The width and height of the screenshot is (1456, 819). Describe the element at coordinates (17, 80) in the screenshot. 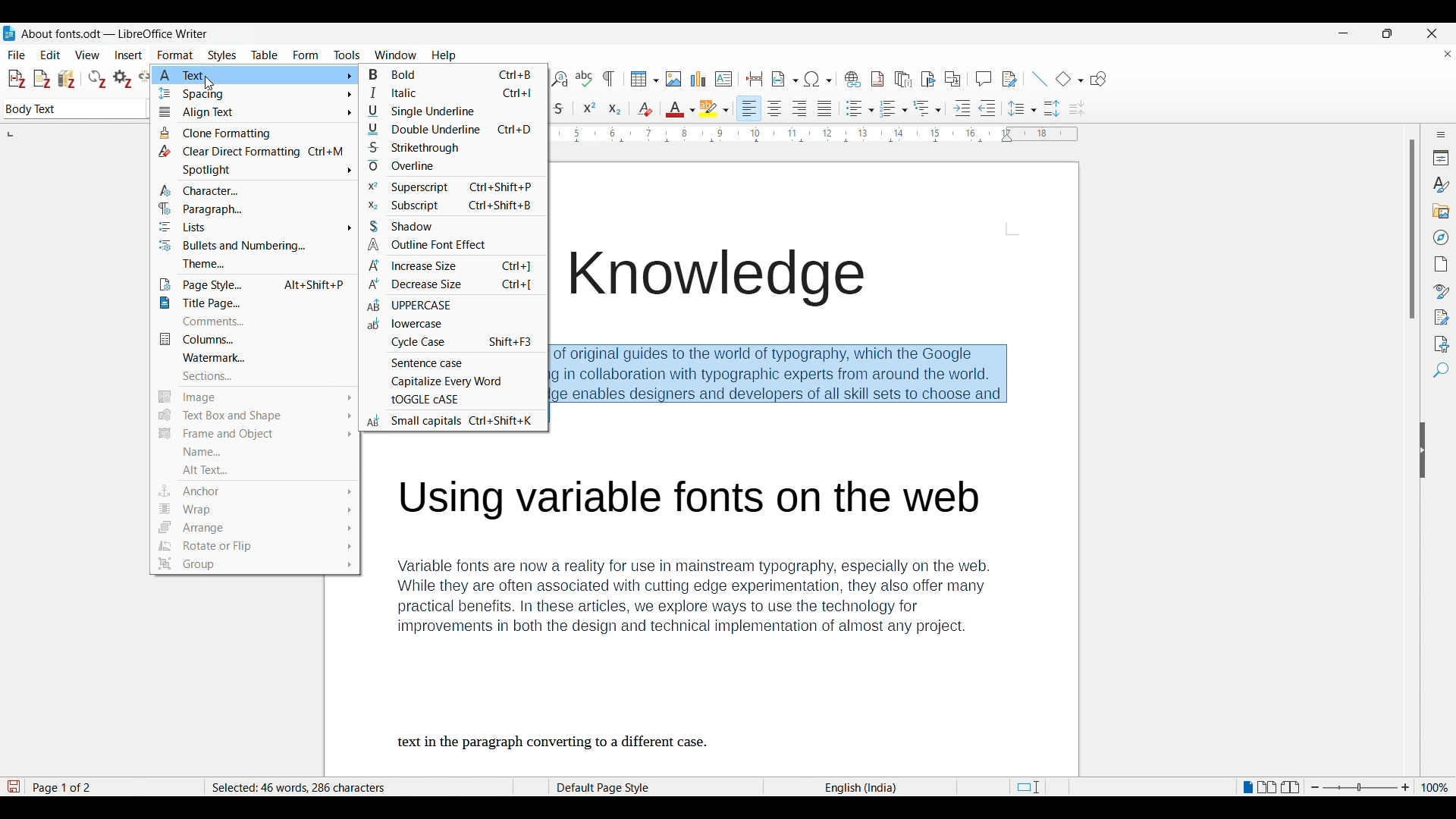

I see `Add\Edit citation` at that location.